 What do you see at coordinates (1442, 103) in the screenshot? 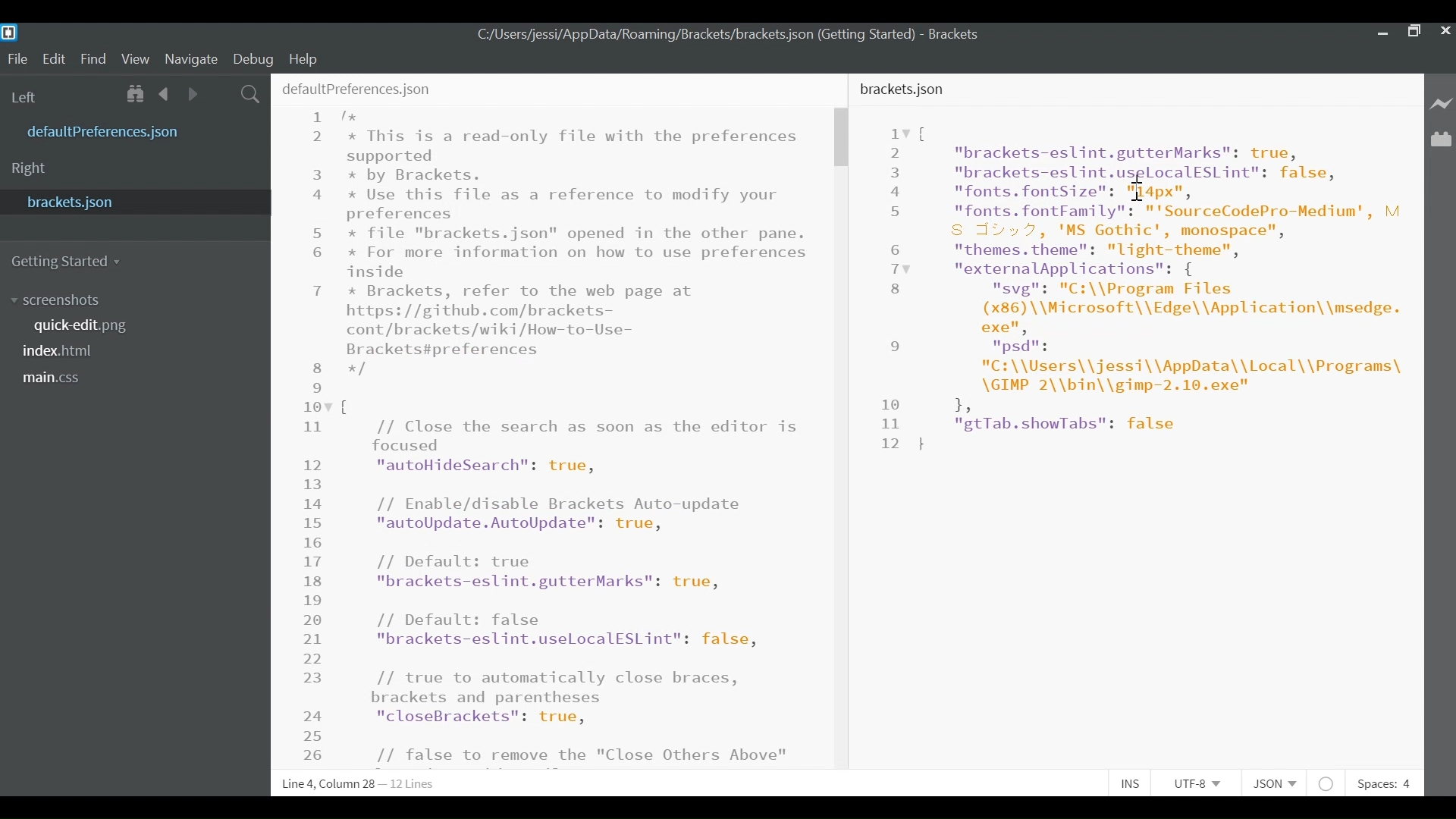
I see `Live Preview` at bounding box center [1442, 103].